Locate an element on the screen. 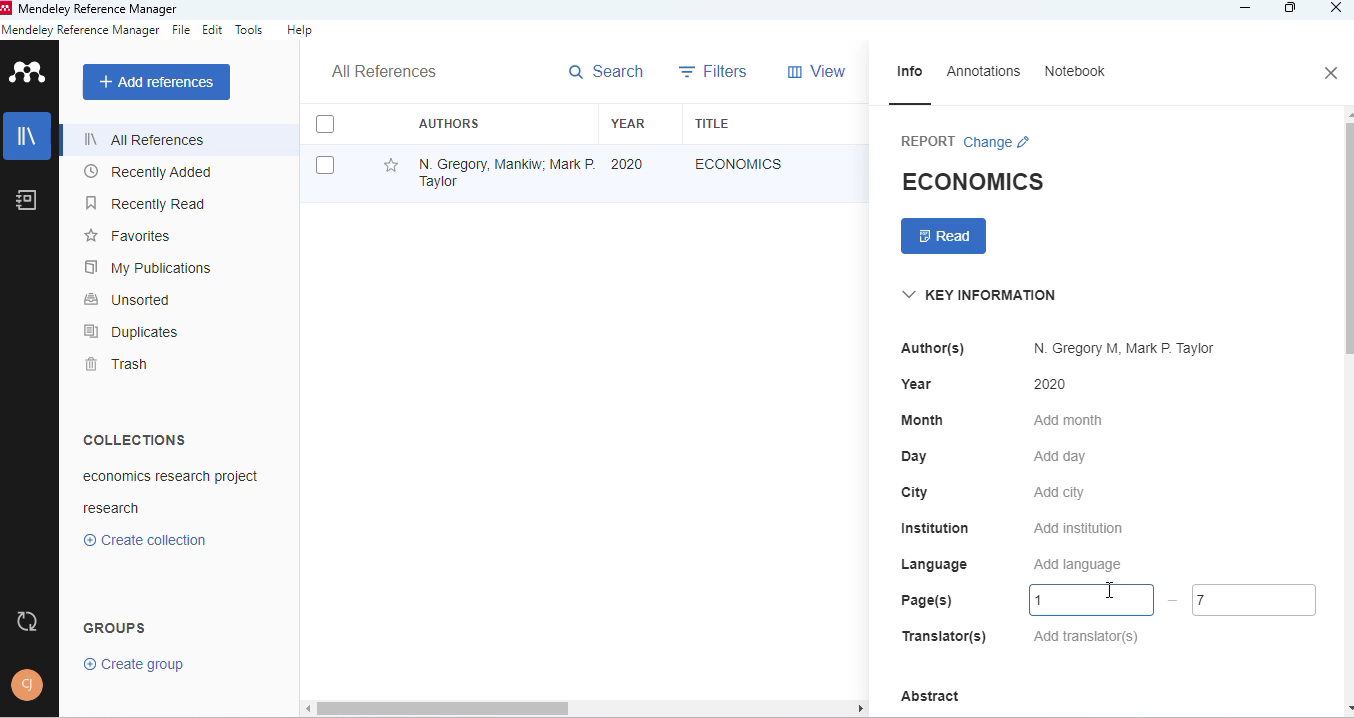 This screenshot has width=1354, height=718. research is located at coordinates (111, 507).